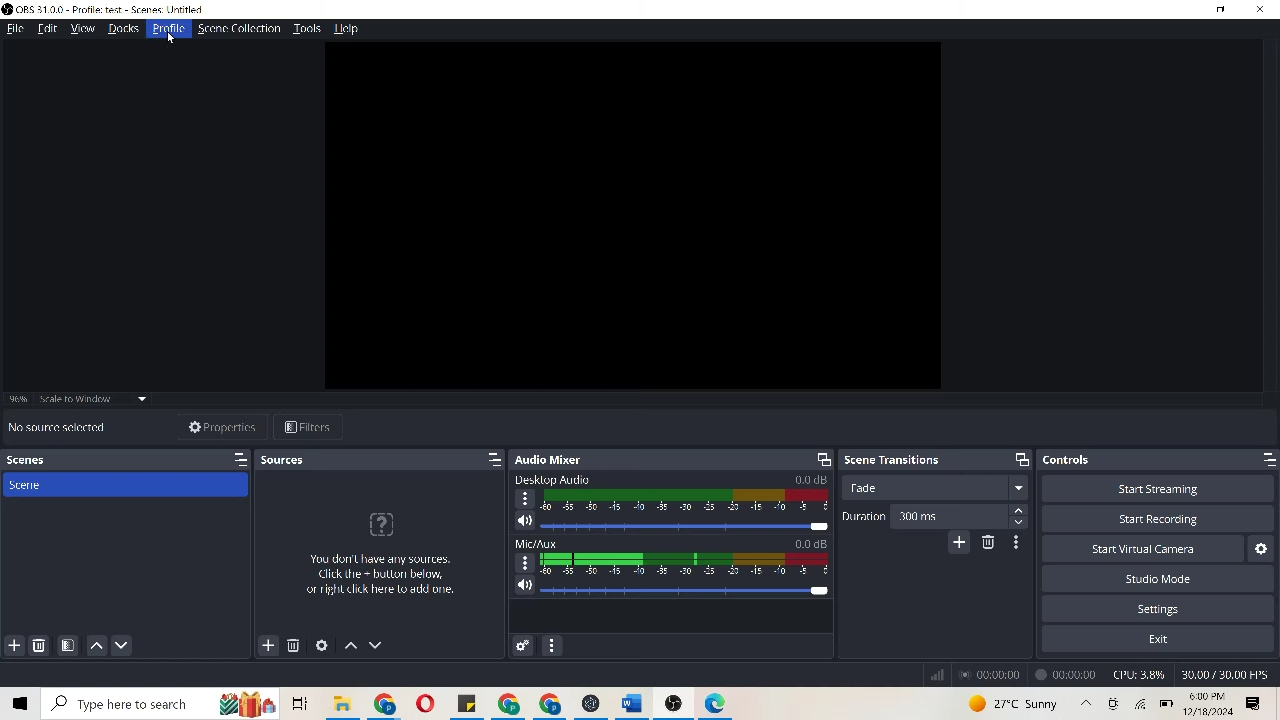 Image resolution: width=1280 pixels, height=720 pixels. I want to click on controls, so click(1089, 459).